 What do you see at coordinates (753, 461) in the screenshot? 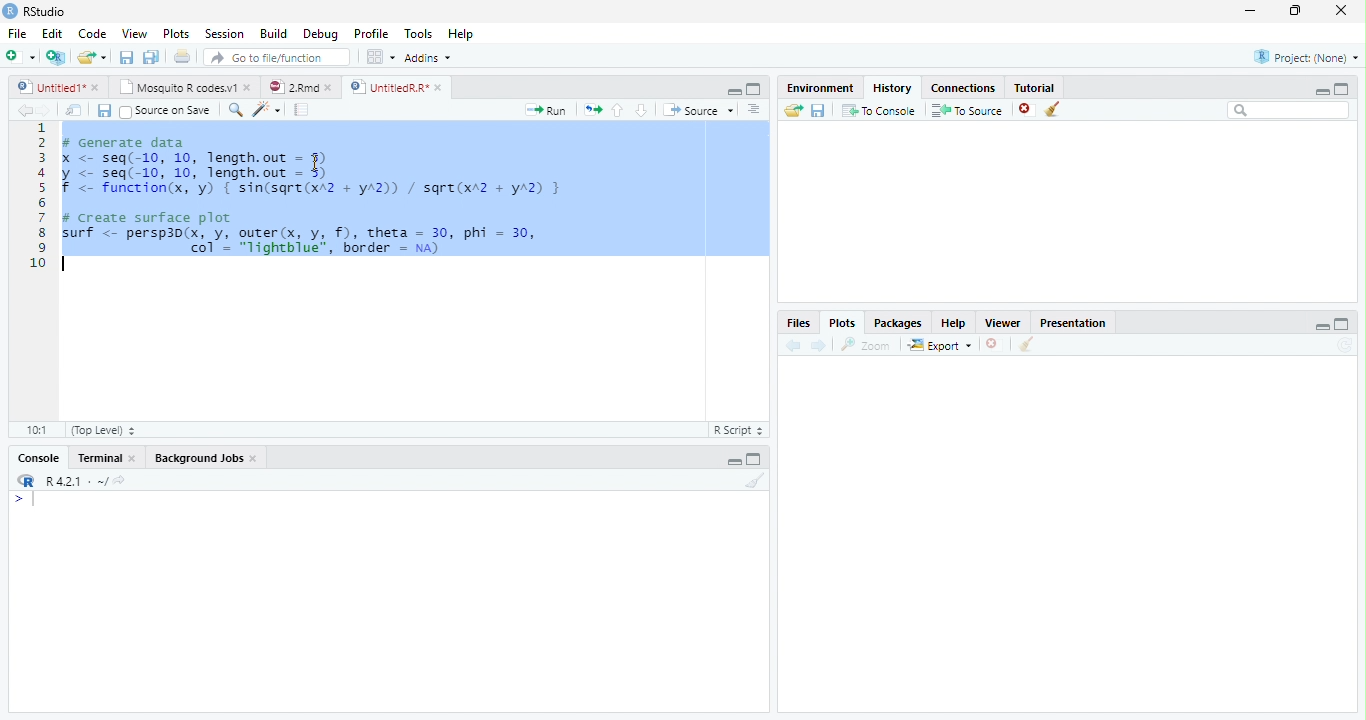
I see `Maximize` at bounding box center [753, 461].